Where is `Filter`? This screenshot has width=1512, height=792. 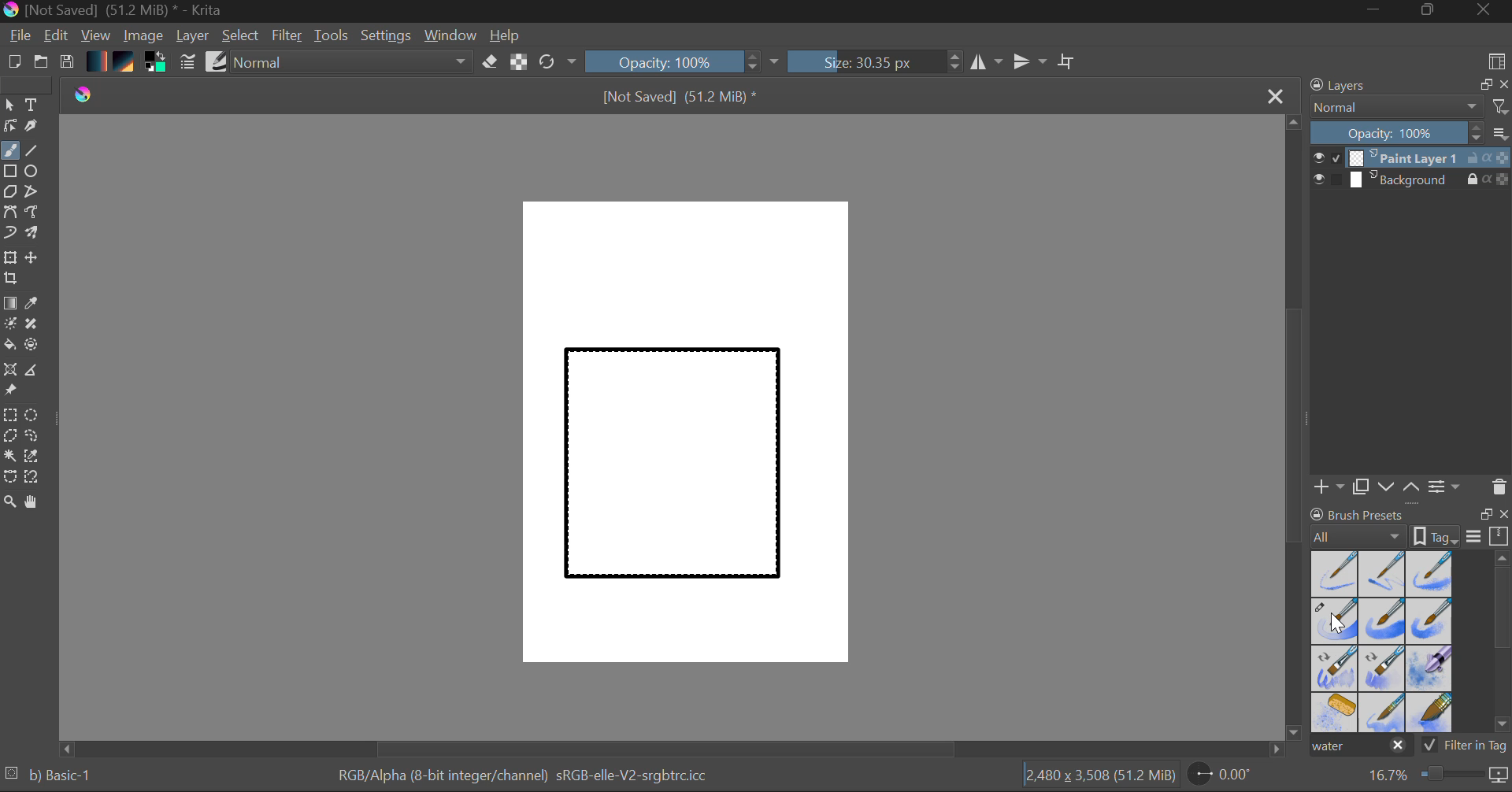
Filter is located at coordinates (289, 38).